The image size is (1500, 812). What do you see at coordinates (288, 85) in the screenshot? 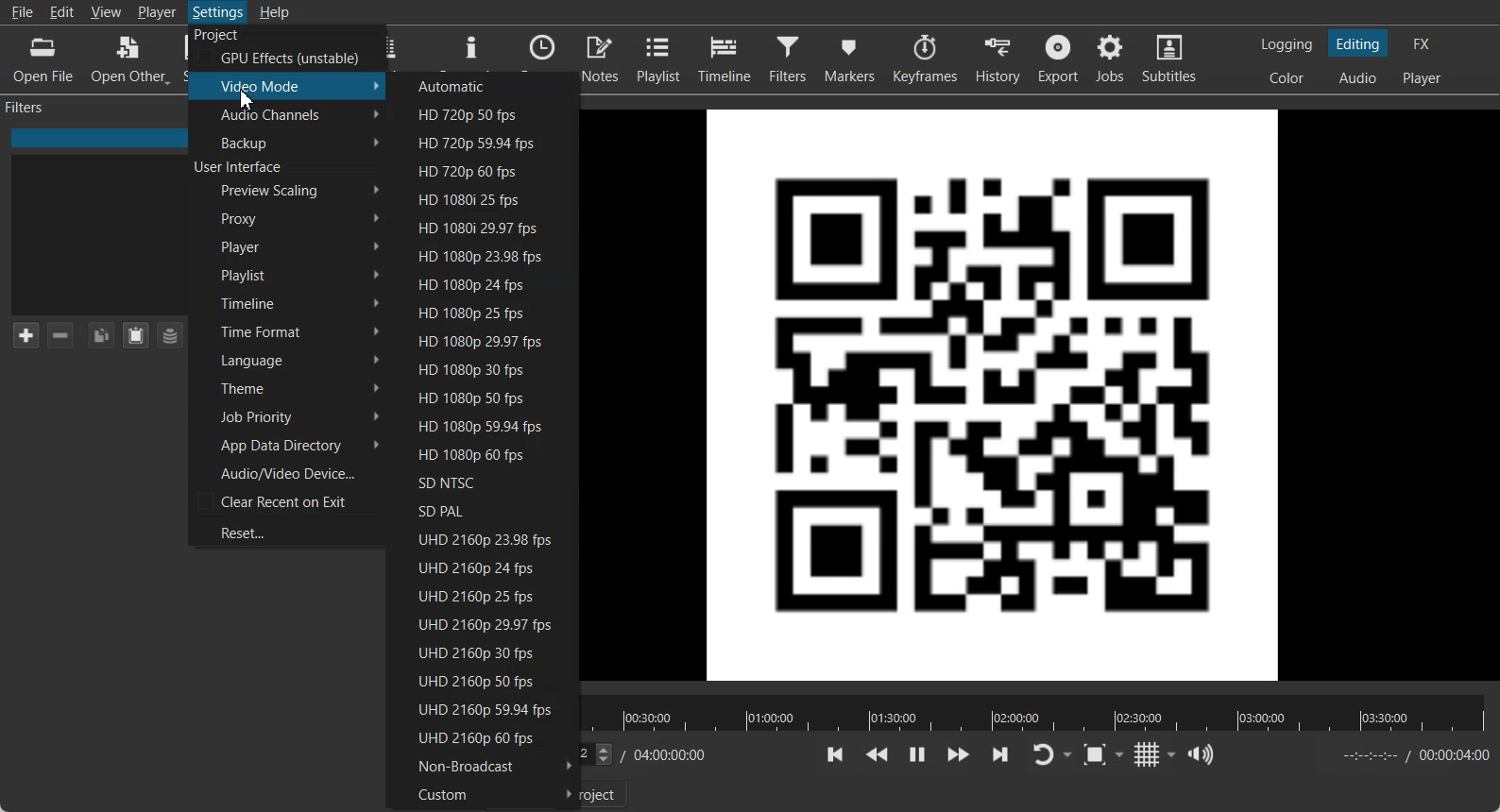
I see `Video Mode` at bounding box center [288, 85].